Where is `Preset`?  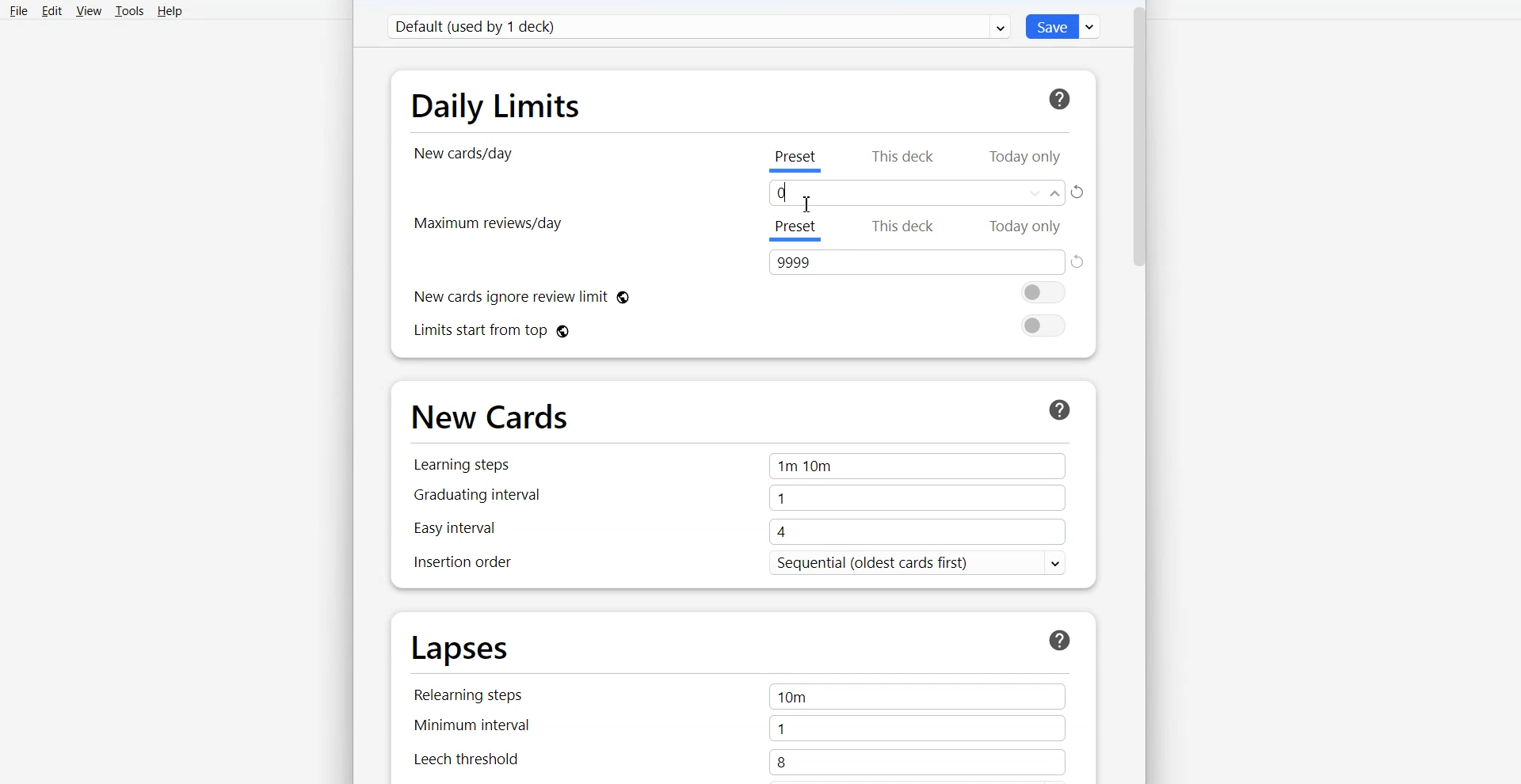
Preset is located at coordinates (796, 161).